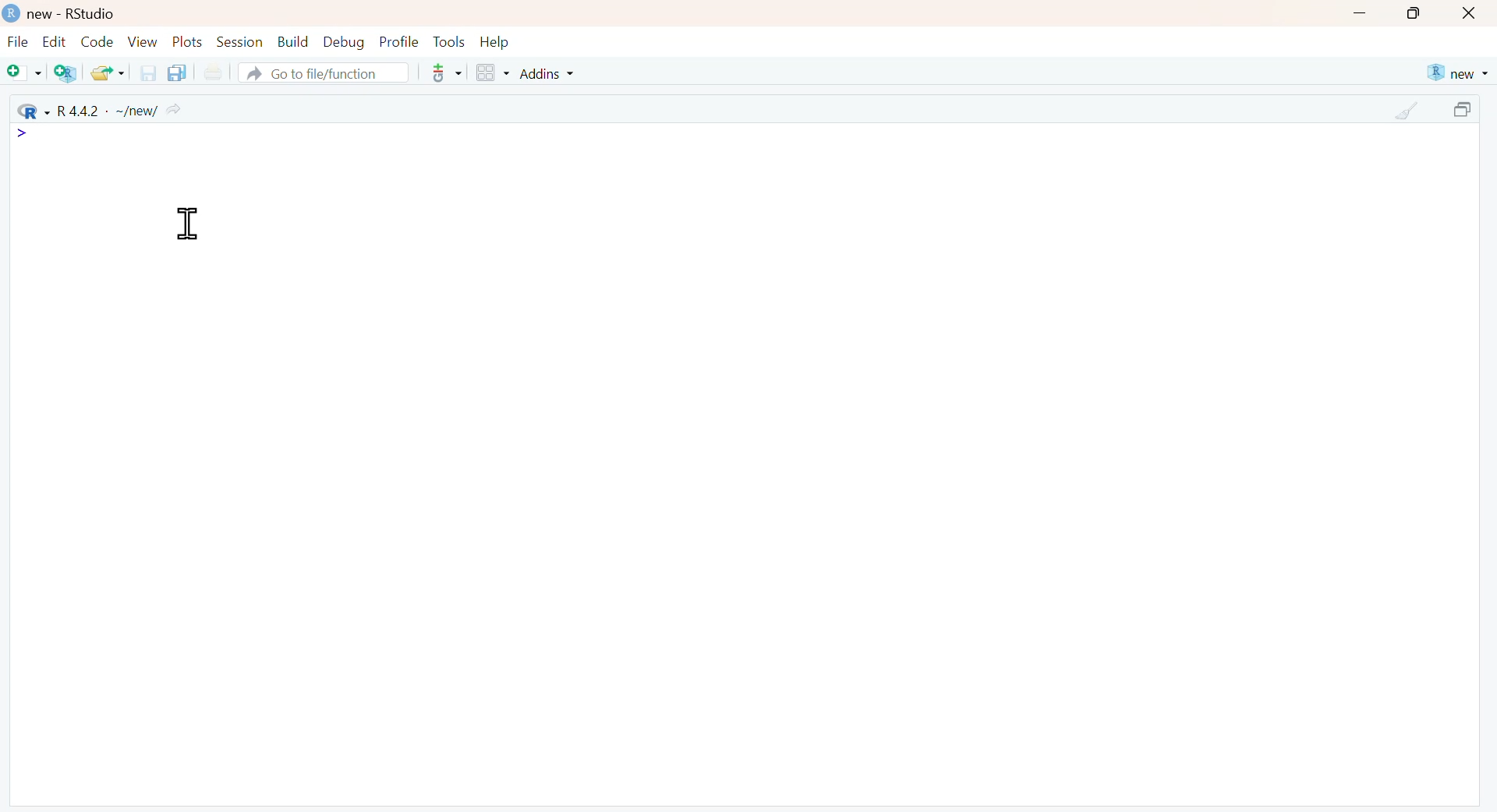 This screenshot has height=812, width=1497. I want to click on Plots, so click(189, 42).